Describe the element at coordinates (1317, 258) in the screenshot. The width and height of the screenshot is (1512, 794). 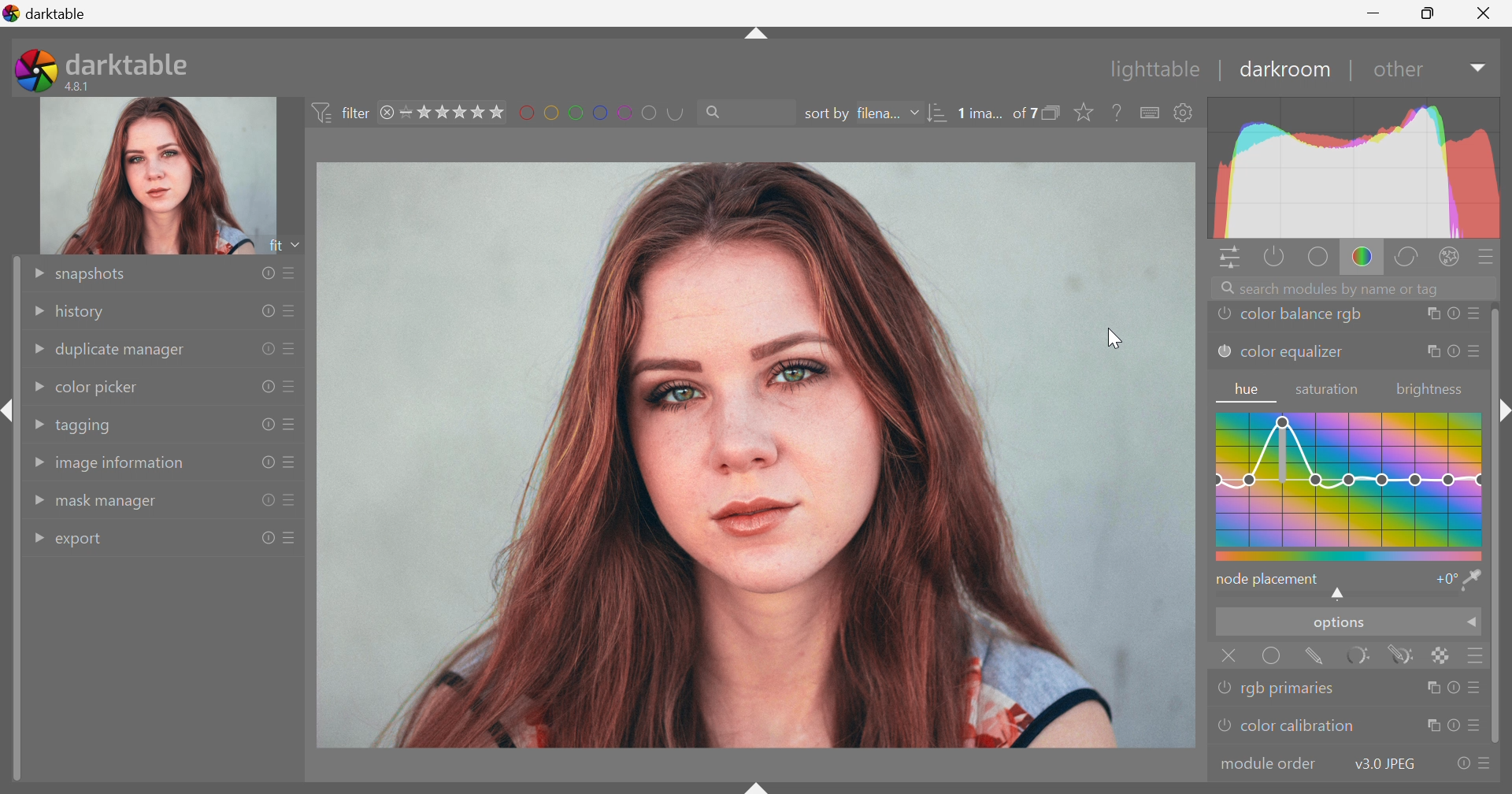
I see `base` at that location.